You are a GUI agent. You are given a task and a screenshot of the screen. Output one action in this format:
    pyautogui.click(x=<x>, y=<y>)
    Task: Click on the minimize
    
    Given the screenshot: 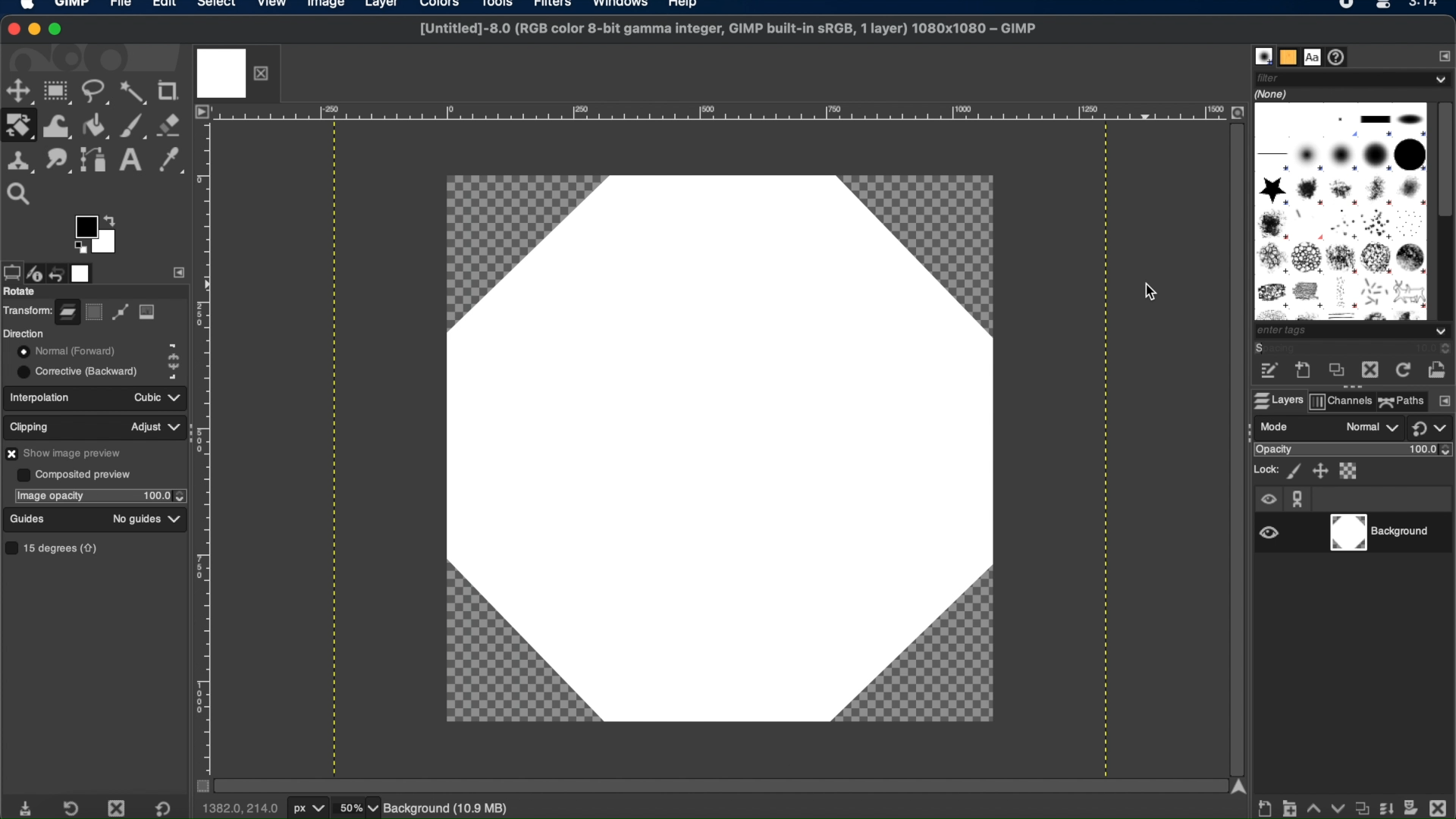 What is the action you would take?
    pyautogui.click(x=36, y=30)
    